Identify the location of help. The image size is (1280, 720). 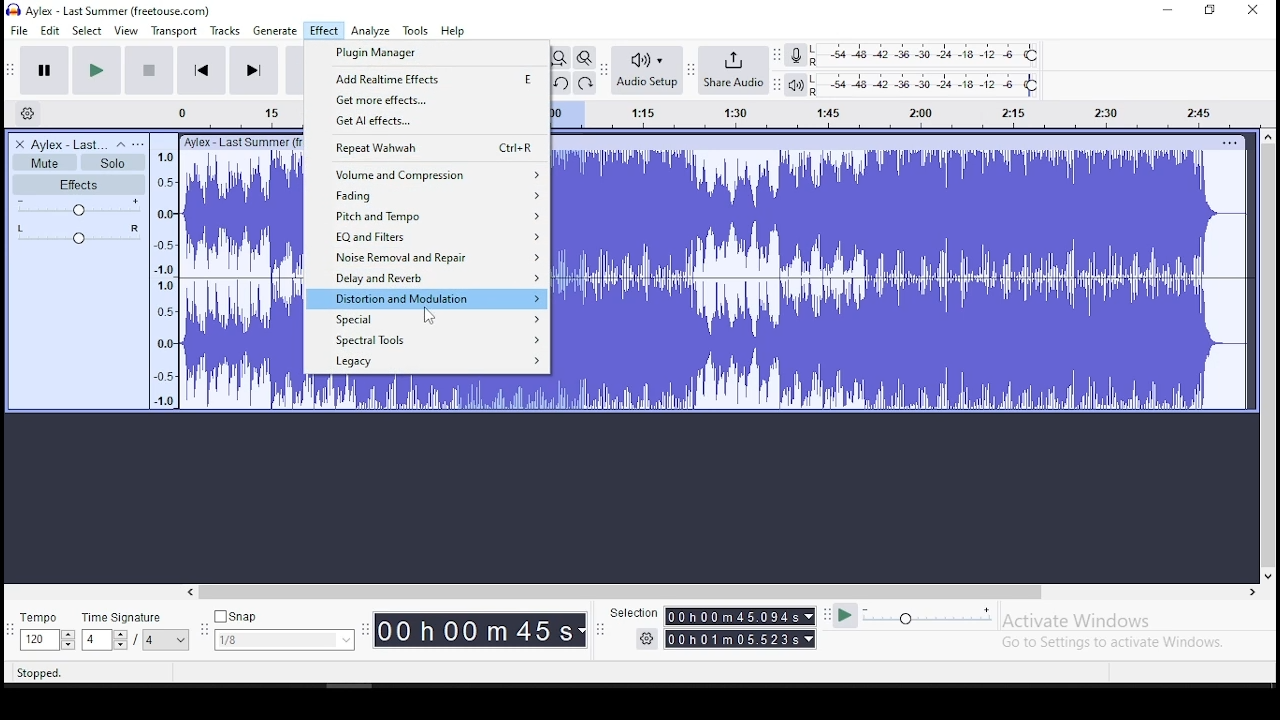
(452, 31).